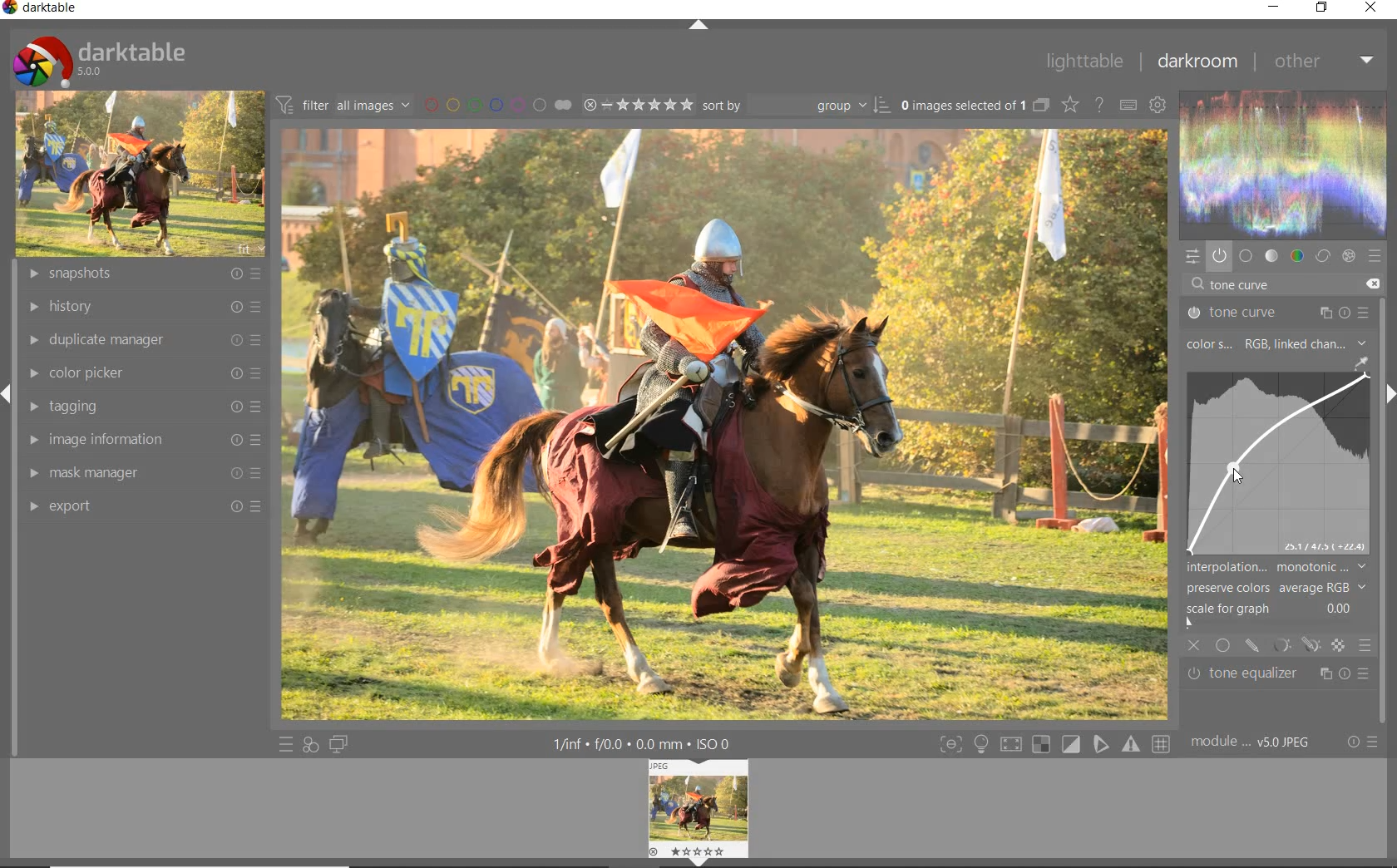 This screenshot has width=1397, height=868. What do you see at coordinates (1276, 567) in the screenshot?
I see `interpolation` at bounding box center [1276, 567].